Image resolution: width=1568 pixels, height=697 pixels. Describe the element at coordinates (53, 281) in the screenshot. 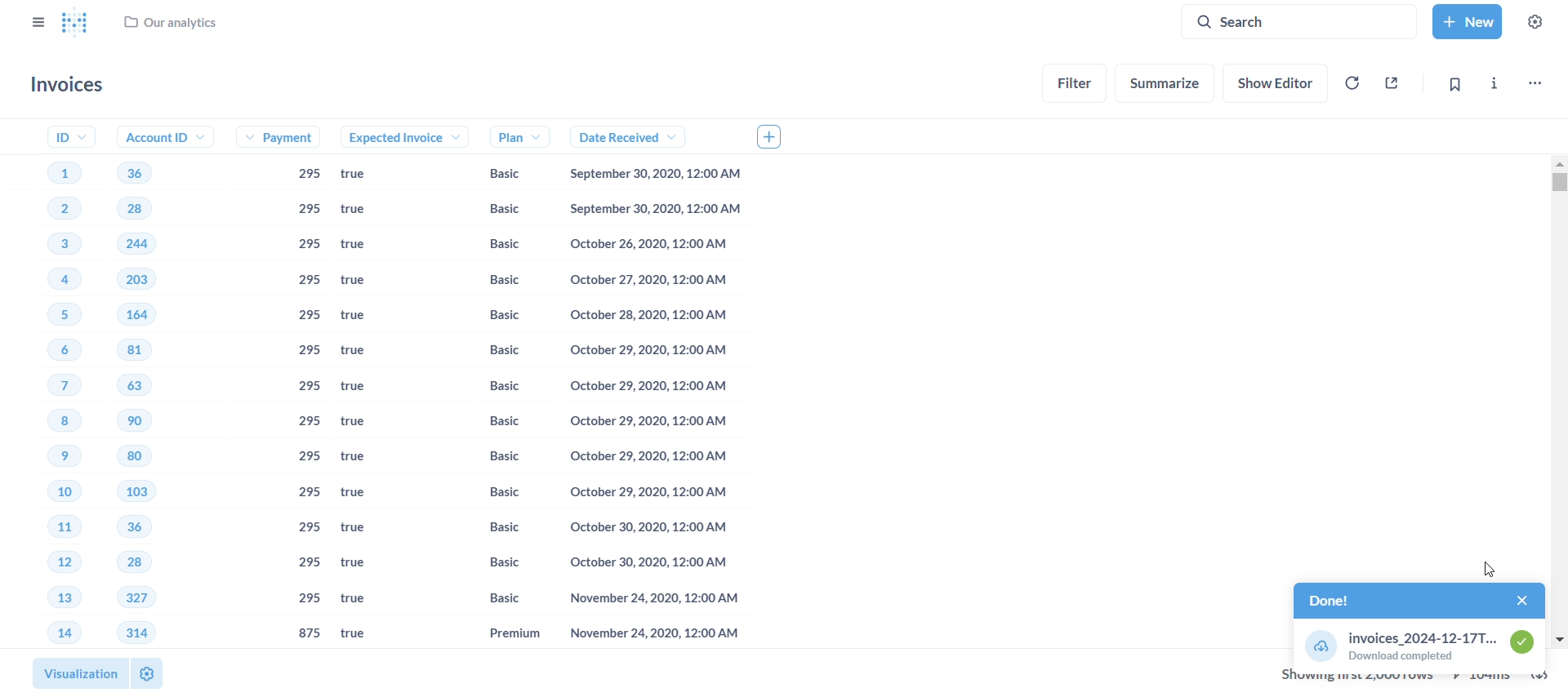

I see `4` at that location.